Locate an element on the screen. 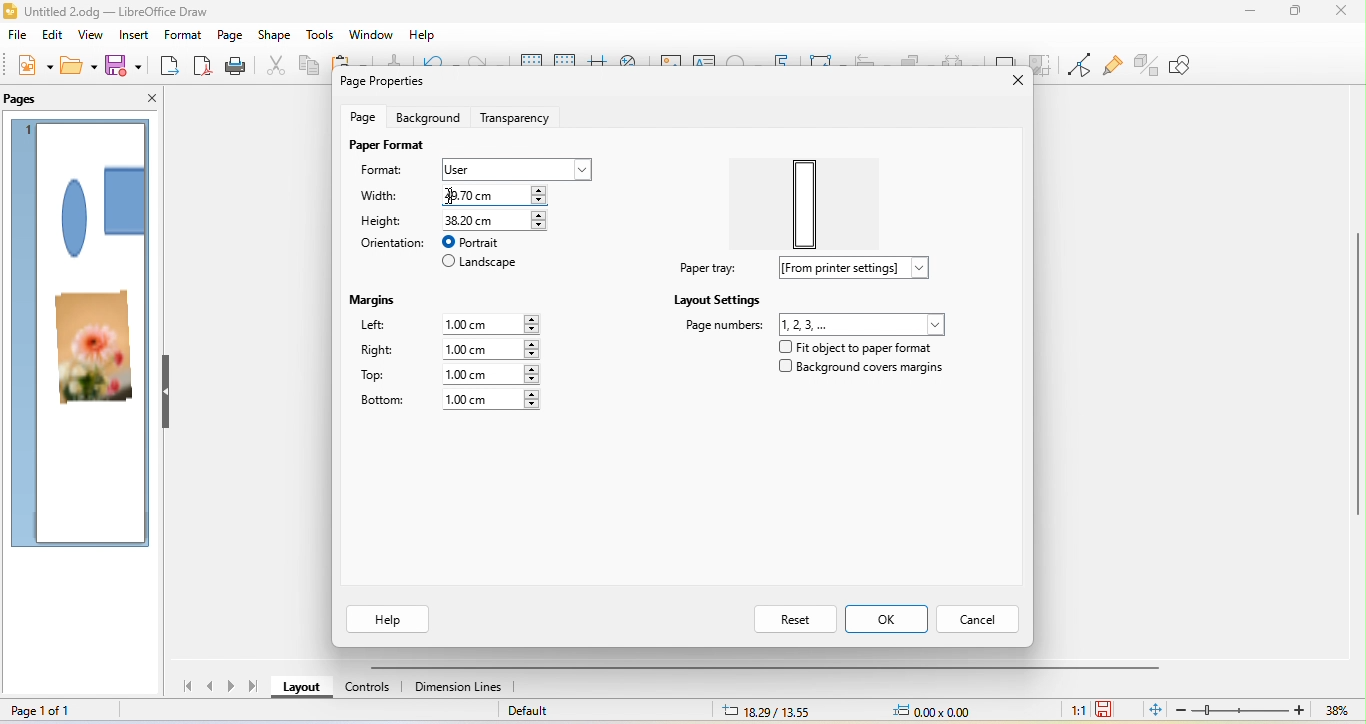 The width and height of the screenshot is (1366, 724). transformation is located at coordinates (829, 64).